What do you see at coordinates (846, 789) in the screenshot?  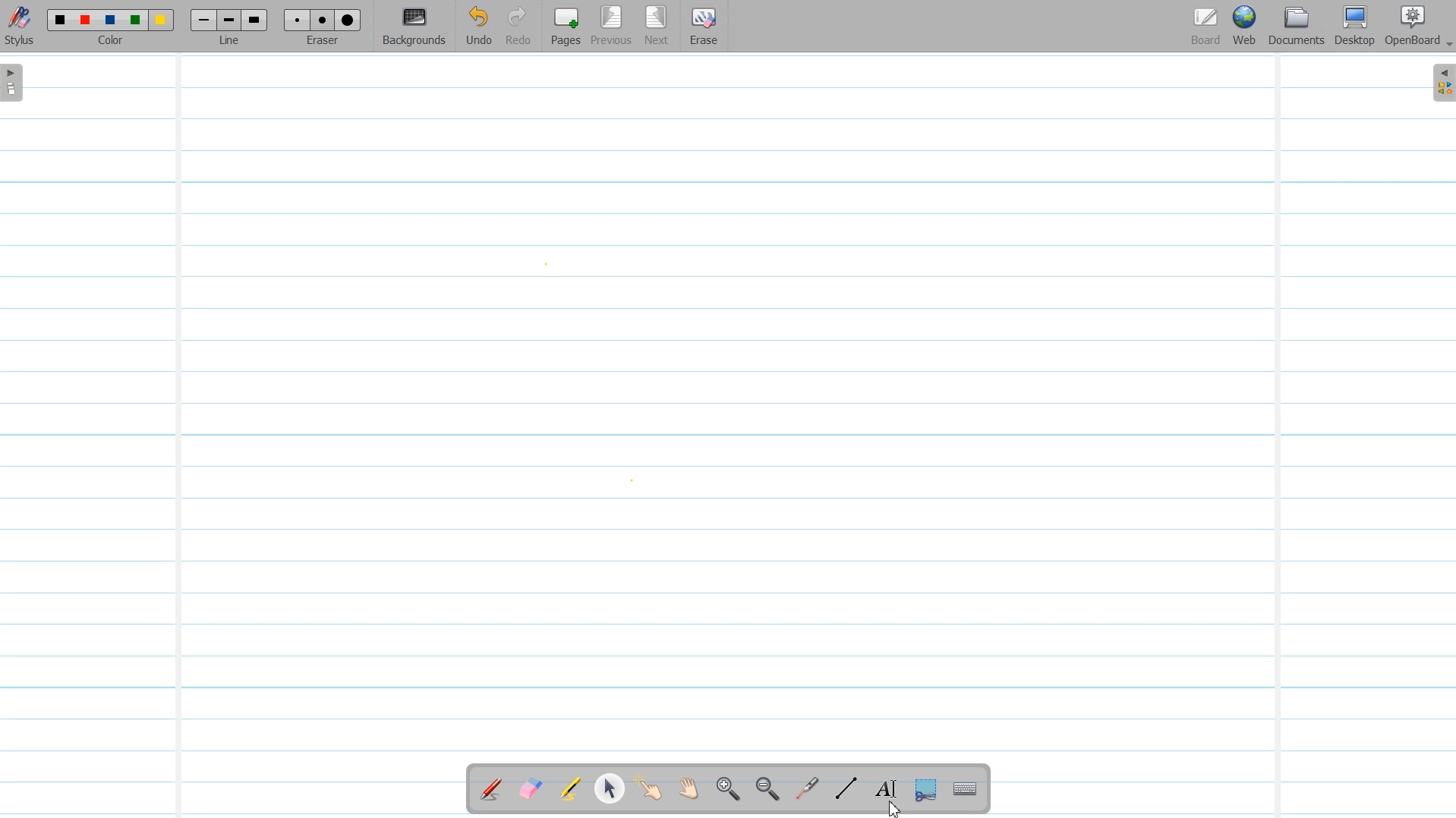 I see `Draw Lines` at bounding box center [846, 789].